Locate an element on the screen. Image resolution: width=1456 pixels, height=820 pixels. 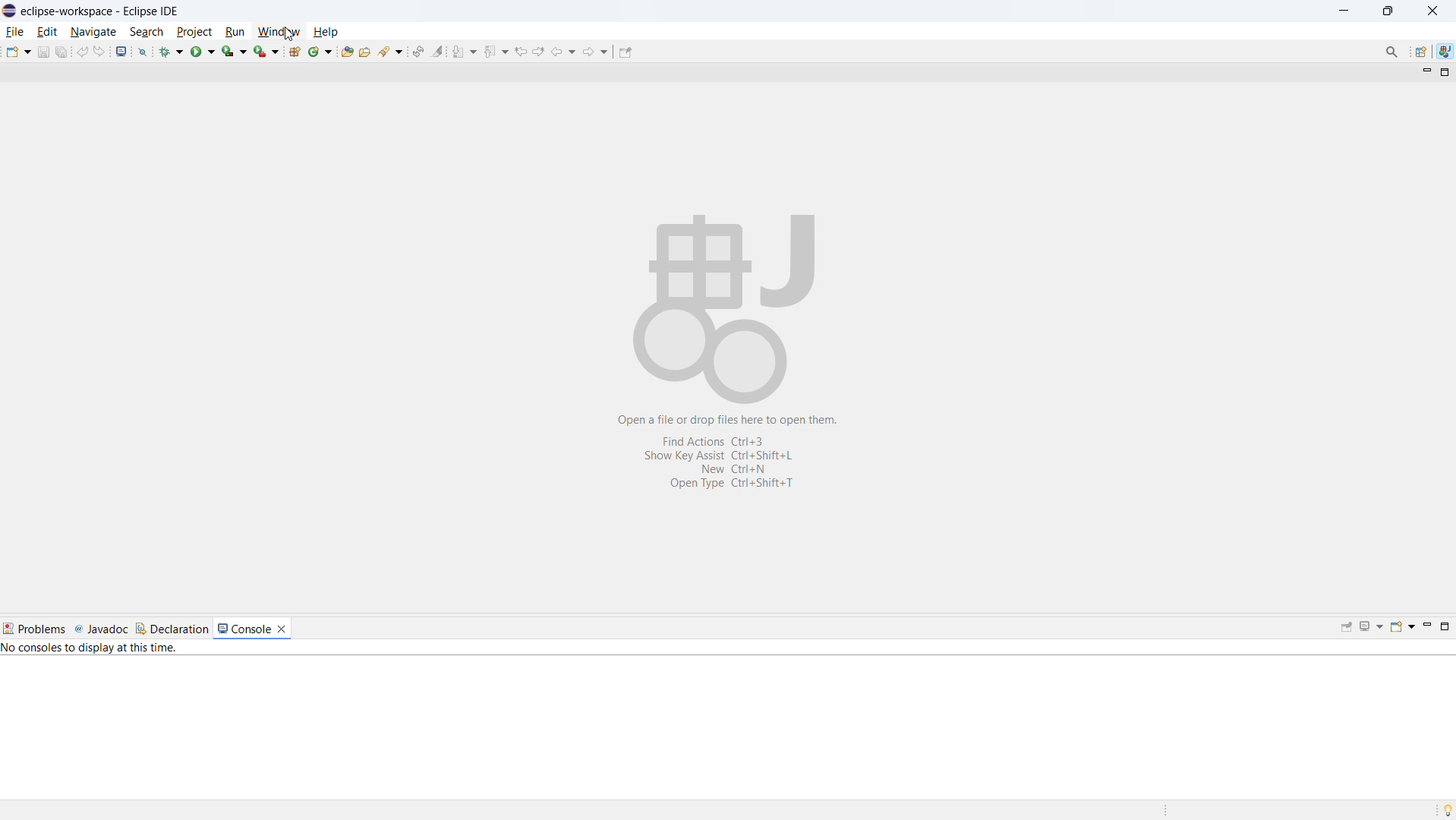
toggle ant editor auto reconcile is located at coordinates (418, 51).